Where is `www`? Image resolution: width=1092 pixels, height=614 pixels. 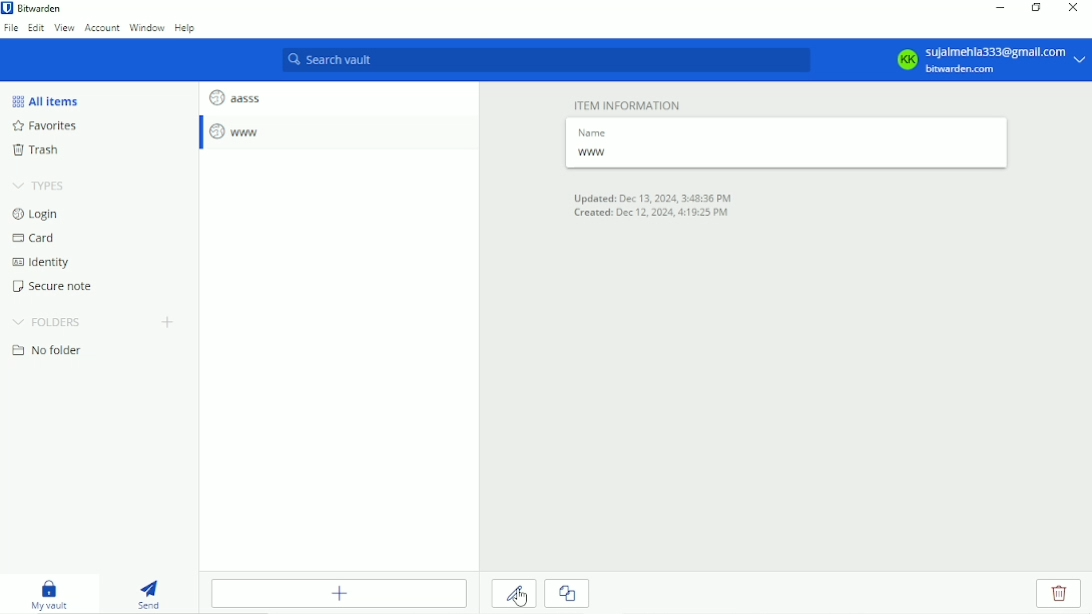
www is located at coordinates (237, 132).